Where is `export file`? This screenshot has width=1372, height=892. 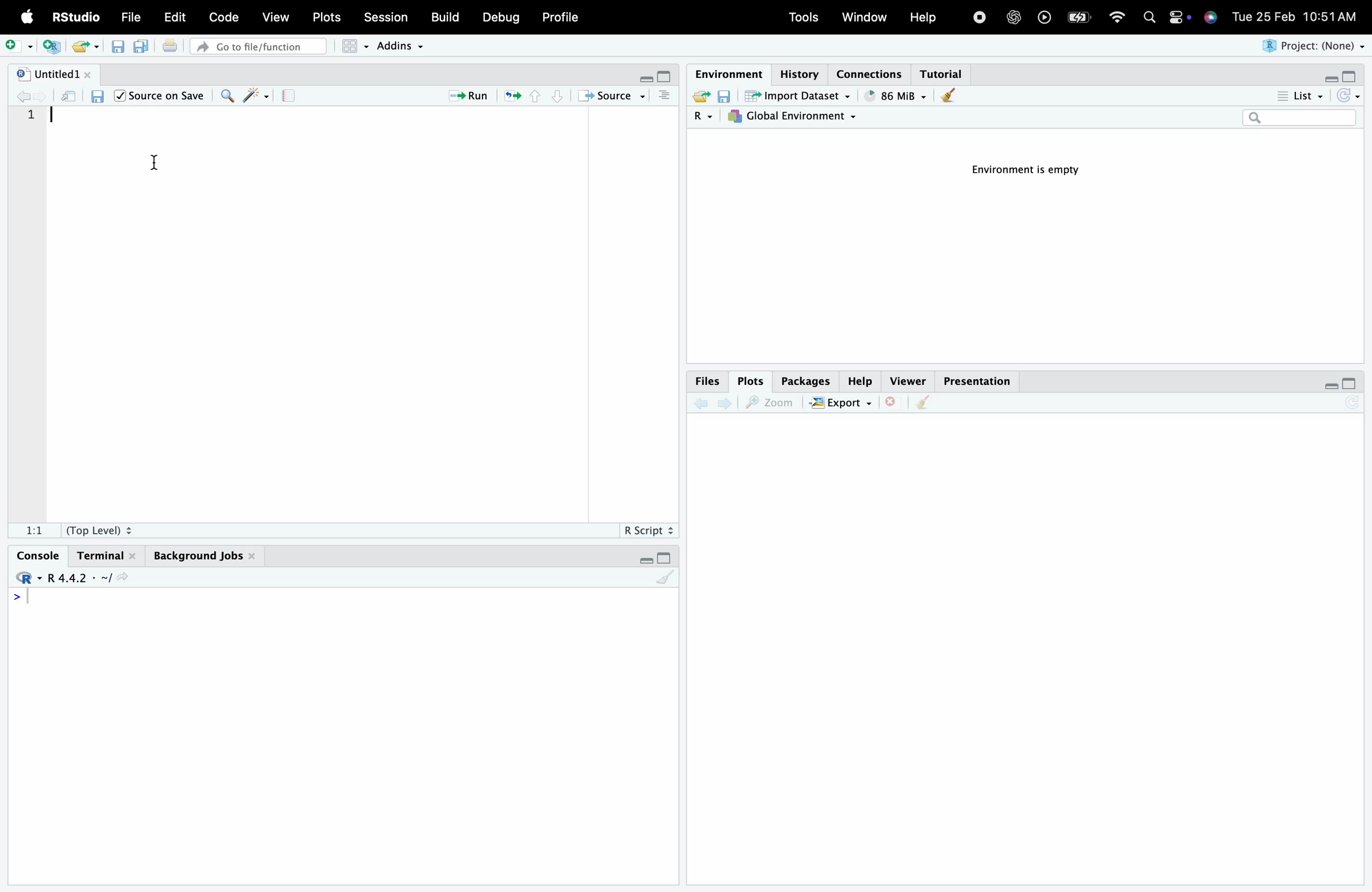 export file is located at coordinates (696, 97).